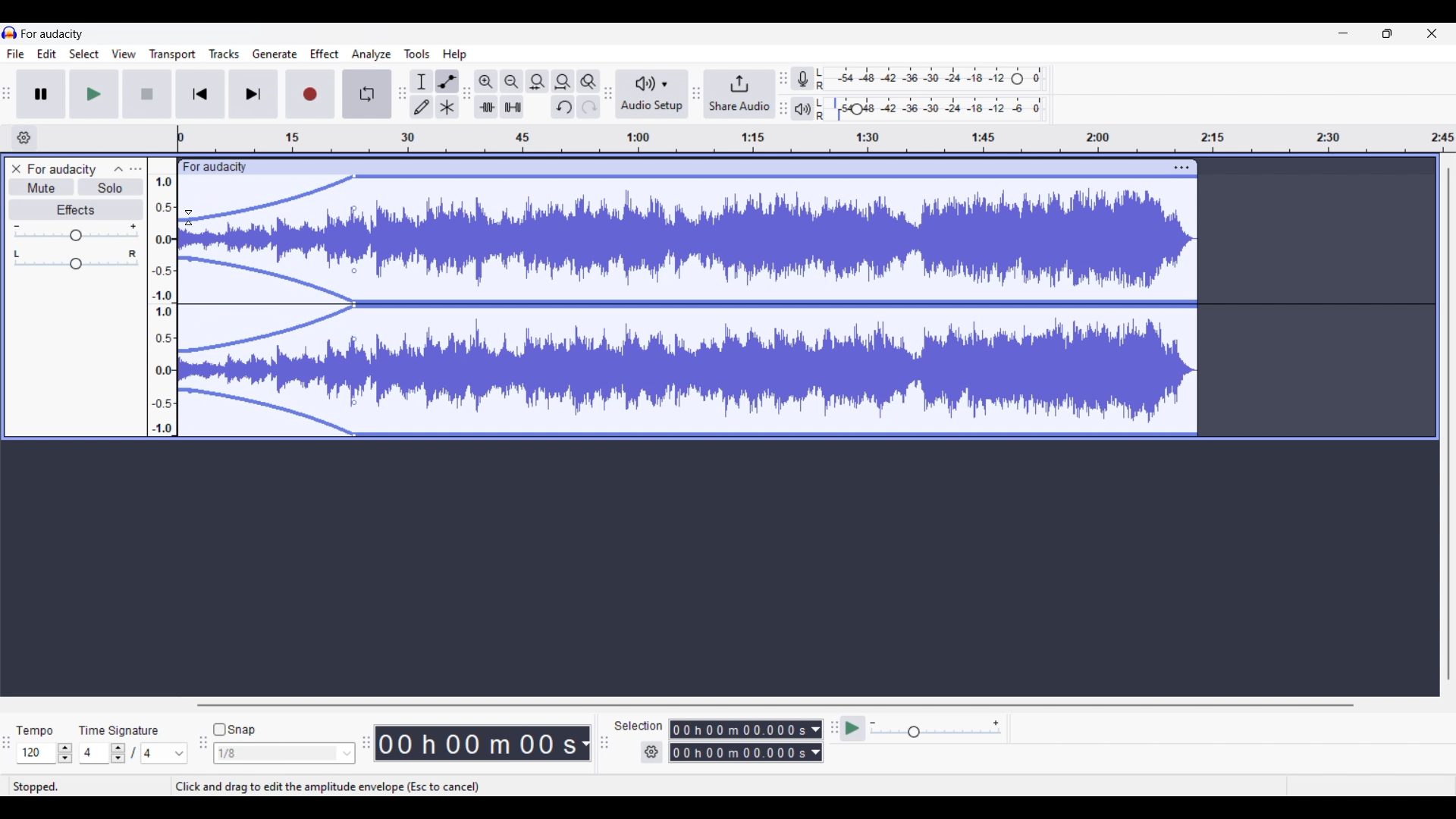 The image size is (1456, 819). Describe the element at coordinates (10, 33) in the screenshot. I see `logo` at that location.